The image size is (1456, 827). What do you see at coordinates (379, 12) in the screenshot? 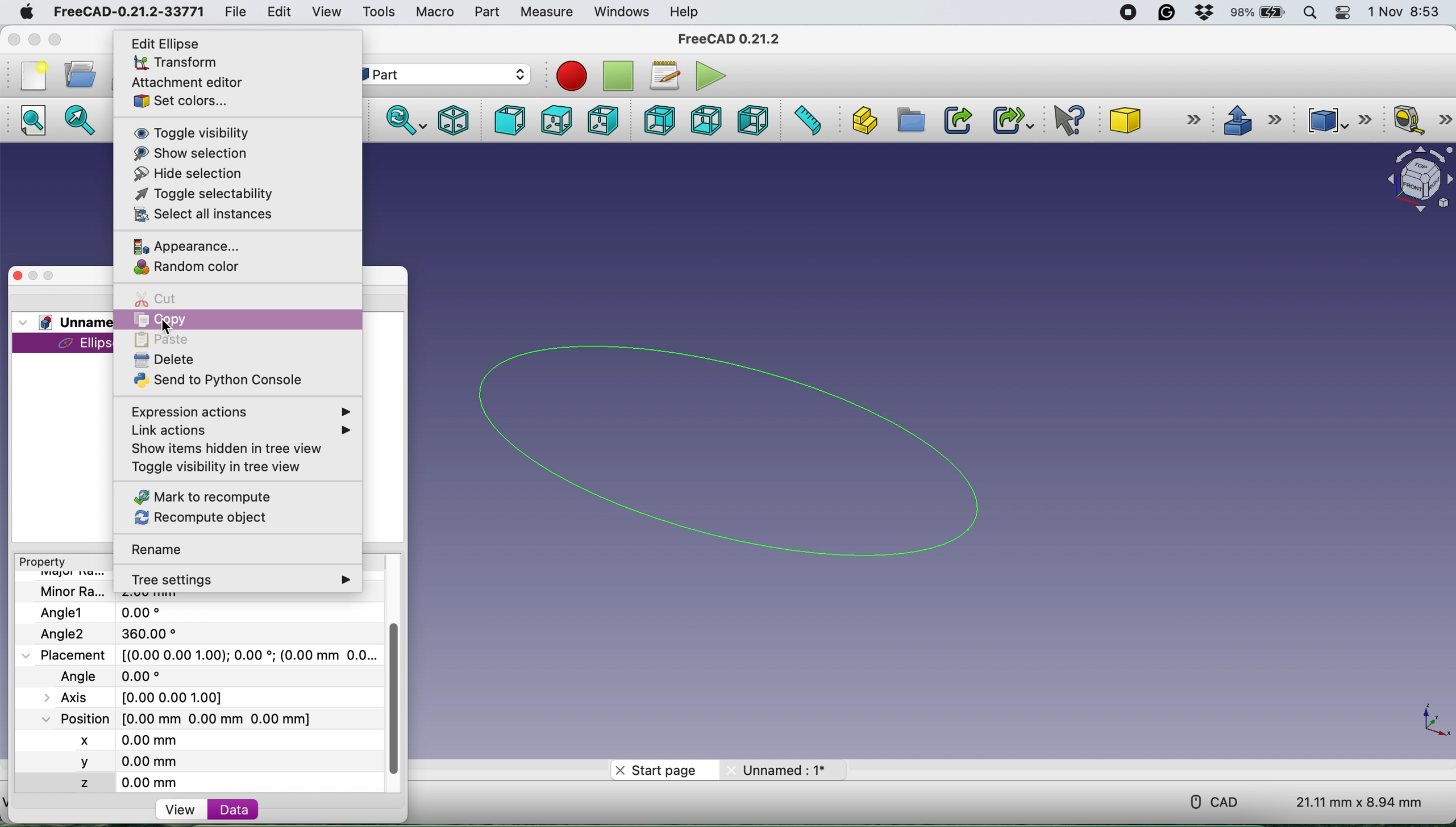
I see `tools` at bounding box center [379, 12].